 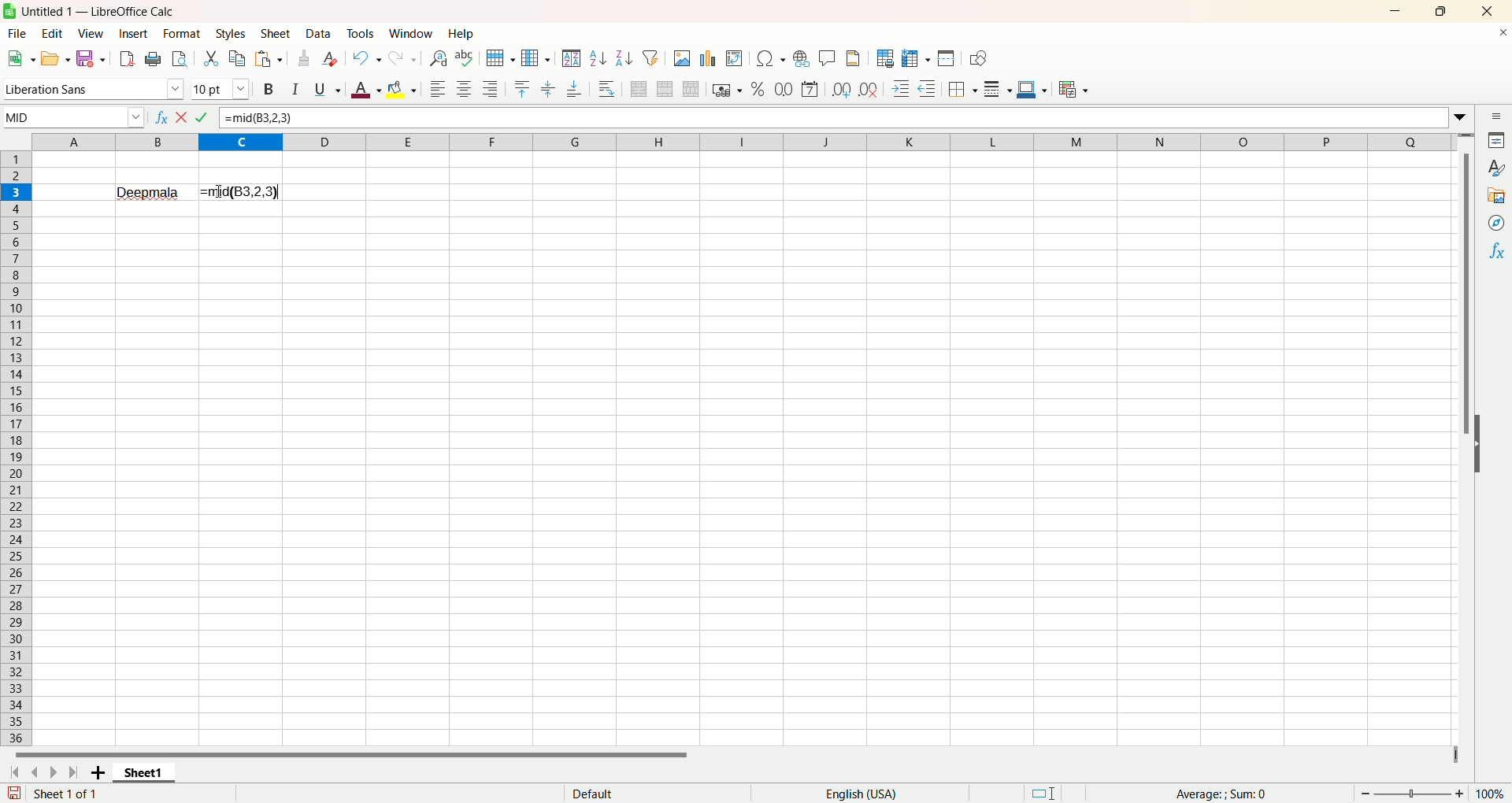 What do you see at coordinates (304, 58) in the screenshot?
I see `Clone formatting` at bounding box center [304, 58].